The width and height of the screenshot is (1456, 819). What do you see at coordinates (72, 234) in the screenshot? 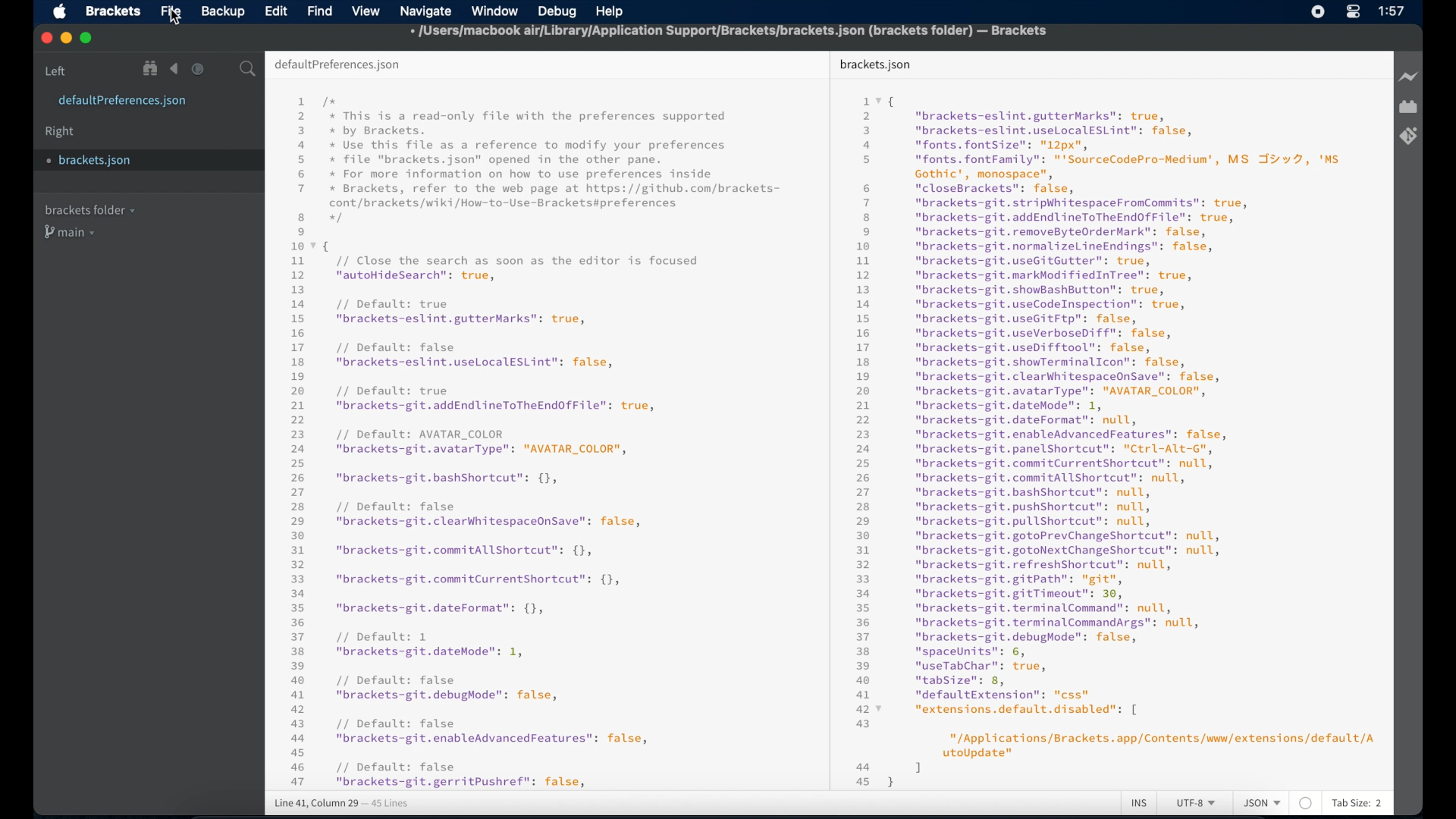
I see `main` at bounding box center [72, 234].